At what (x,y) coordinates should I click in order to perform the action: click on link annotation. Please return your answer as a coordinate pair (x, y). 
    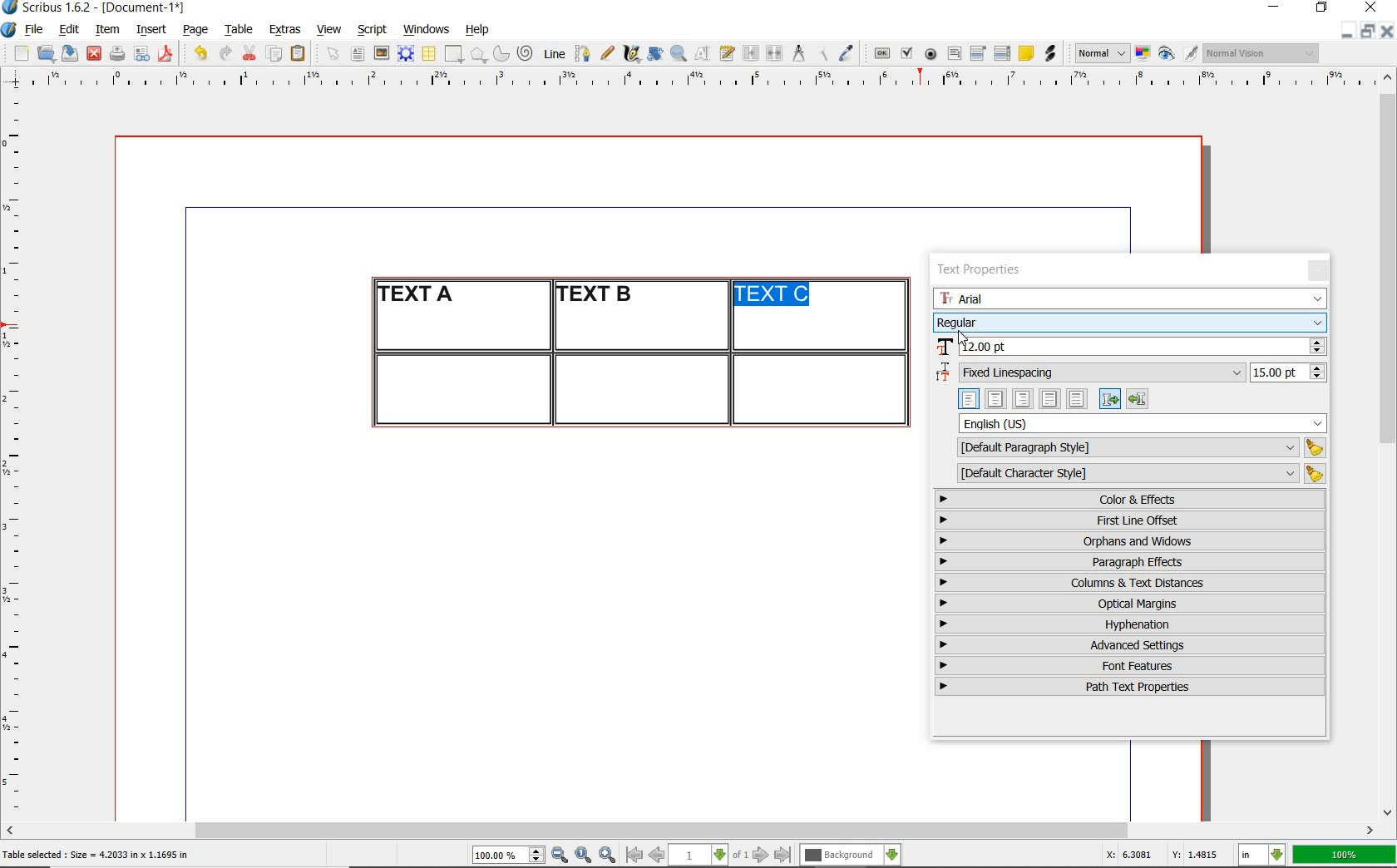
    Looking at the image, I should click on (1052, 53).